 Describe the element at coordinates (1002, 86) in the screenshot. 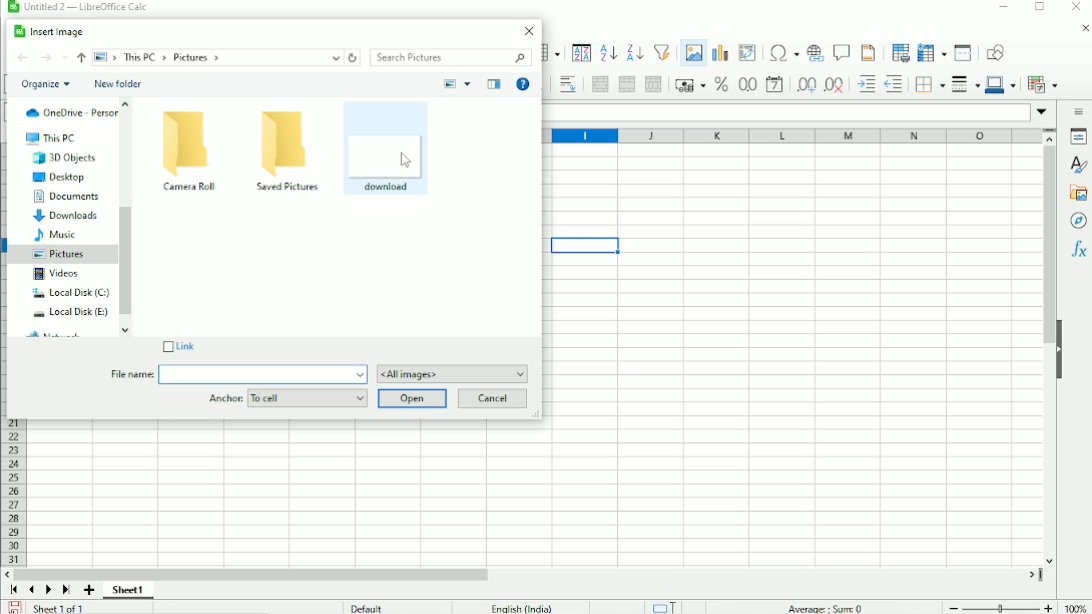

I see `Border color` at that location.